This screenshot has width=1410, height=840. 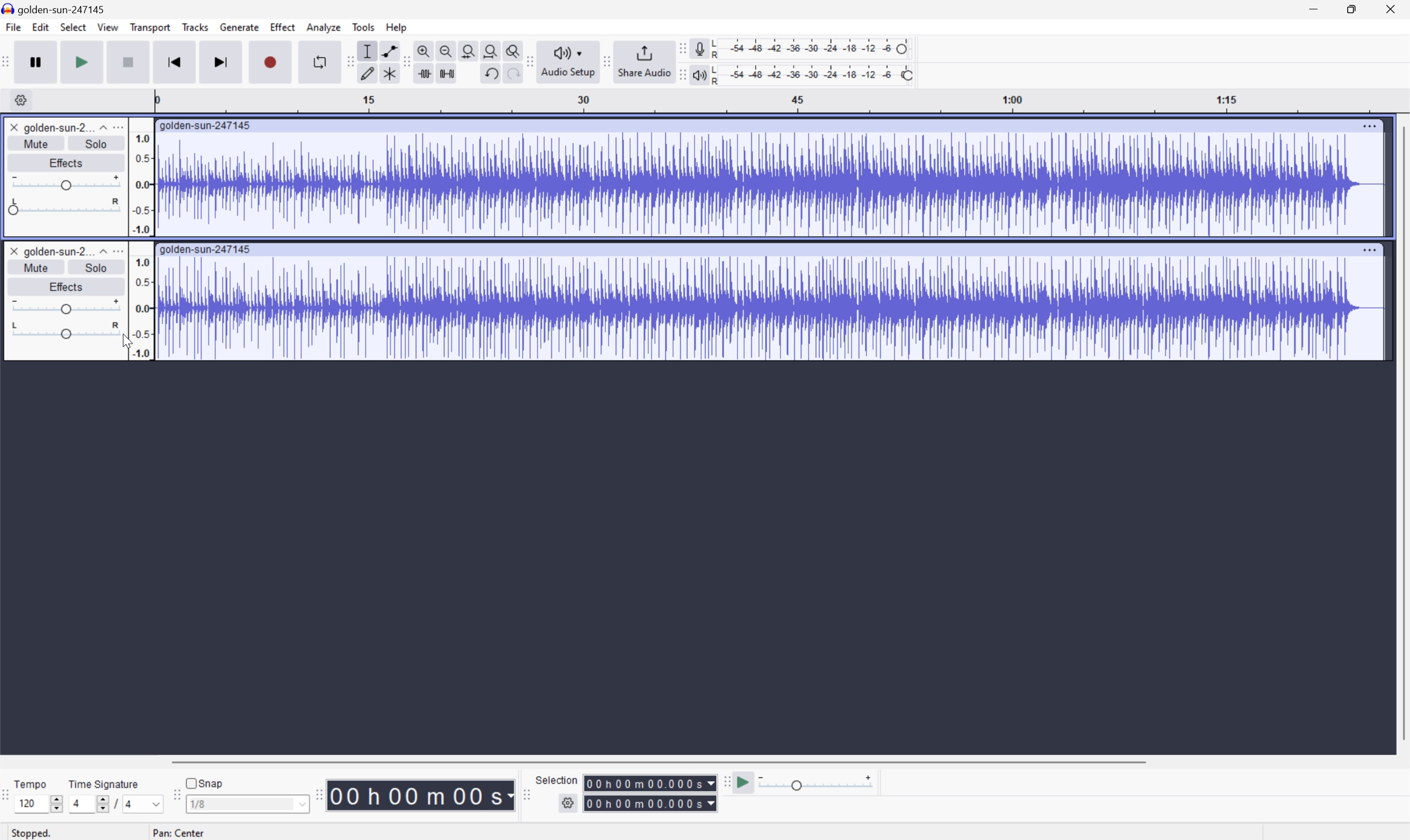 I want to click on Close, so click(x=14, y=127).